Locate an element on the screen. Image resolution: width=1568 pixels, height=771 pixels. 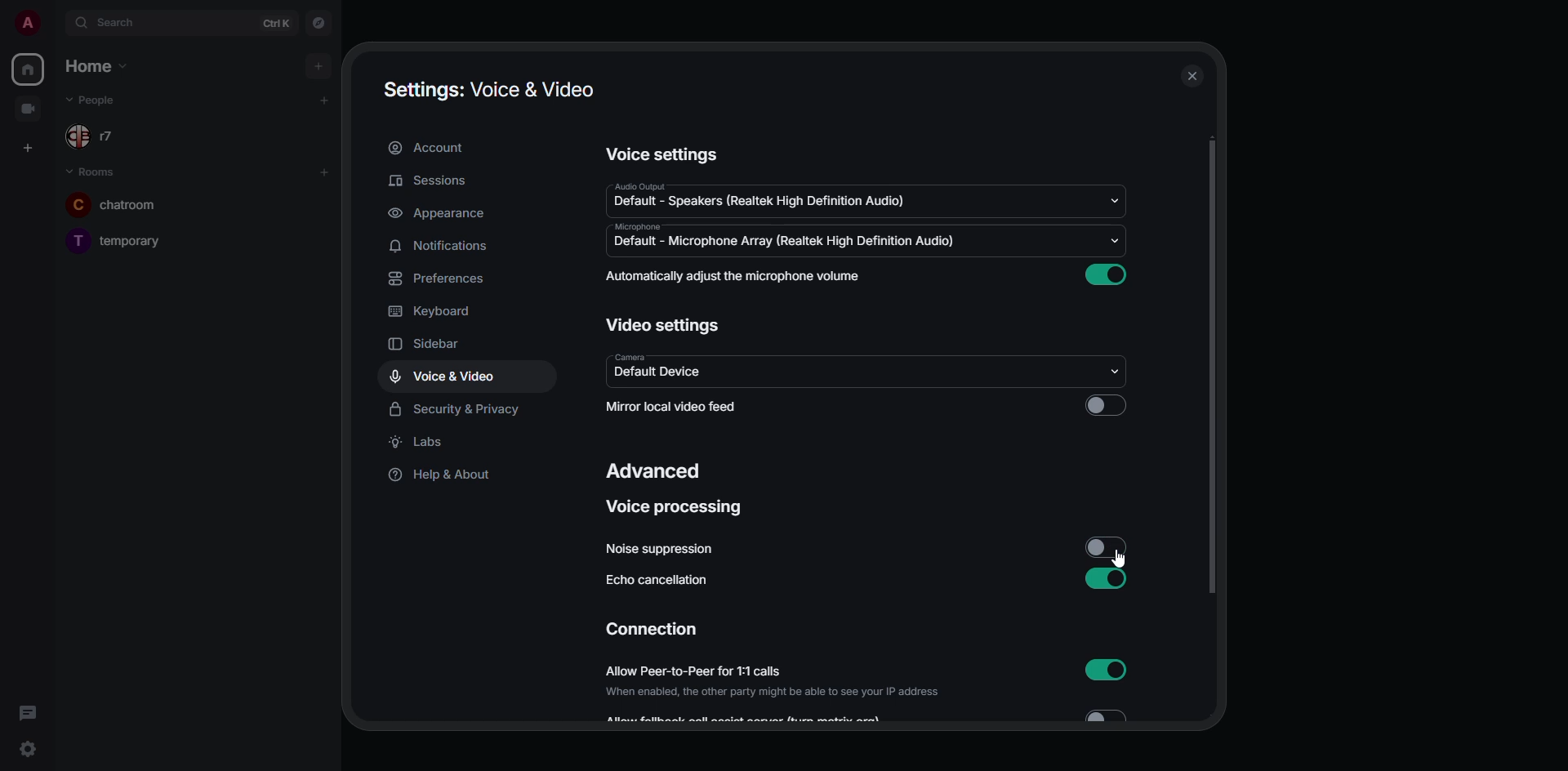
close is located at coordinates (1192, 78).